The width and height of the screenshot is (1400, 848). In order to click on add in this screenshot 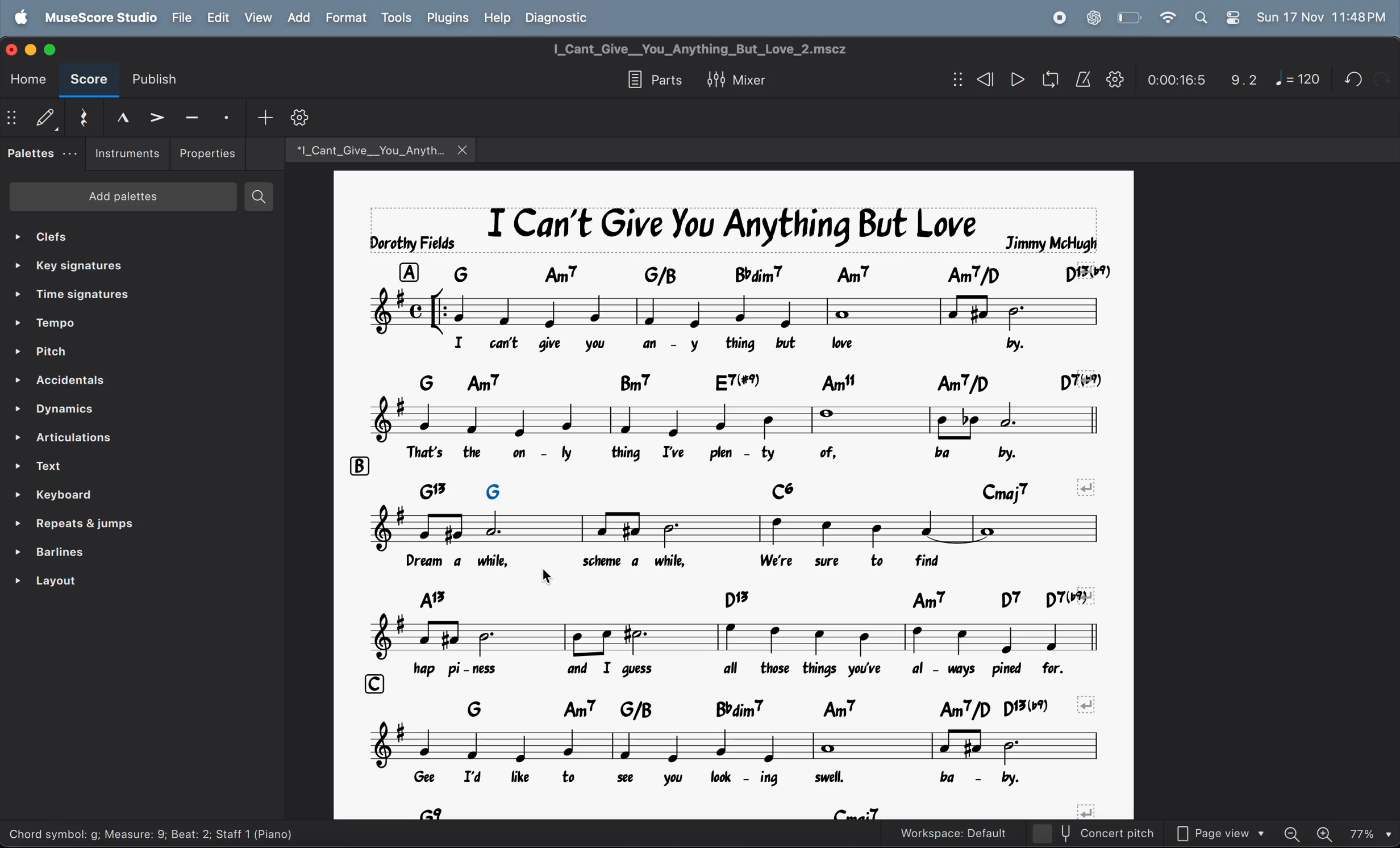, I will do `click(267, 117)`.